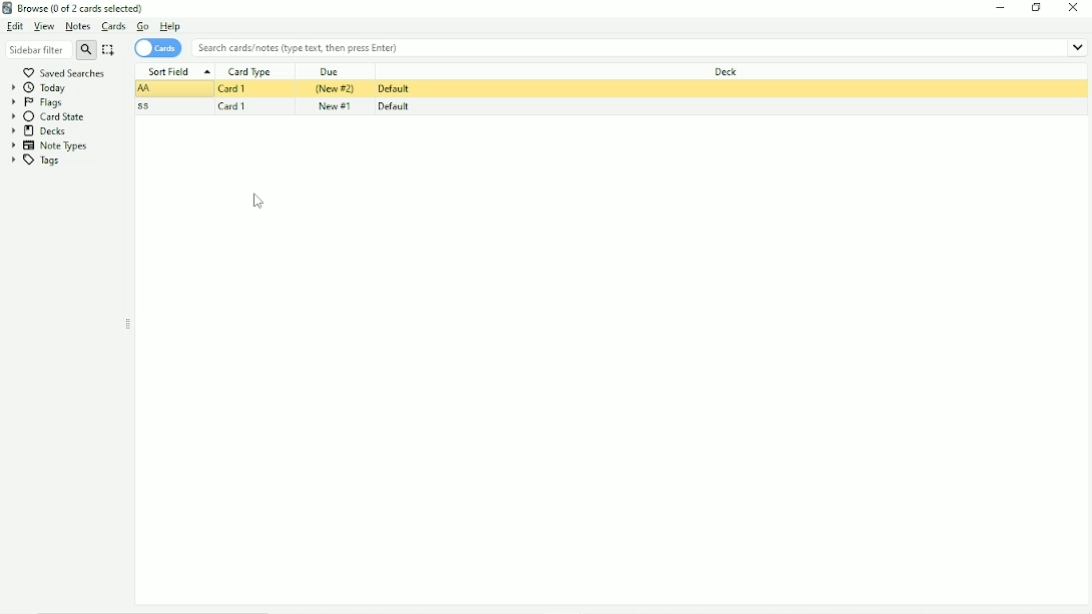 Image resolution: width=1092 pixels, height=614 pixels. Describe the element at coordinates (49, 145) in the screenshot. I see `Note Types` at that location.